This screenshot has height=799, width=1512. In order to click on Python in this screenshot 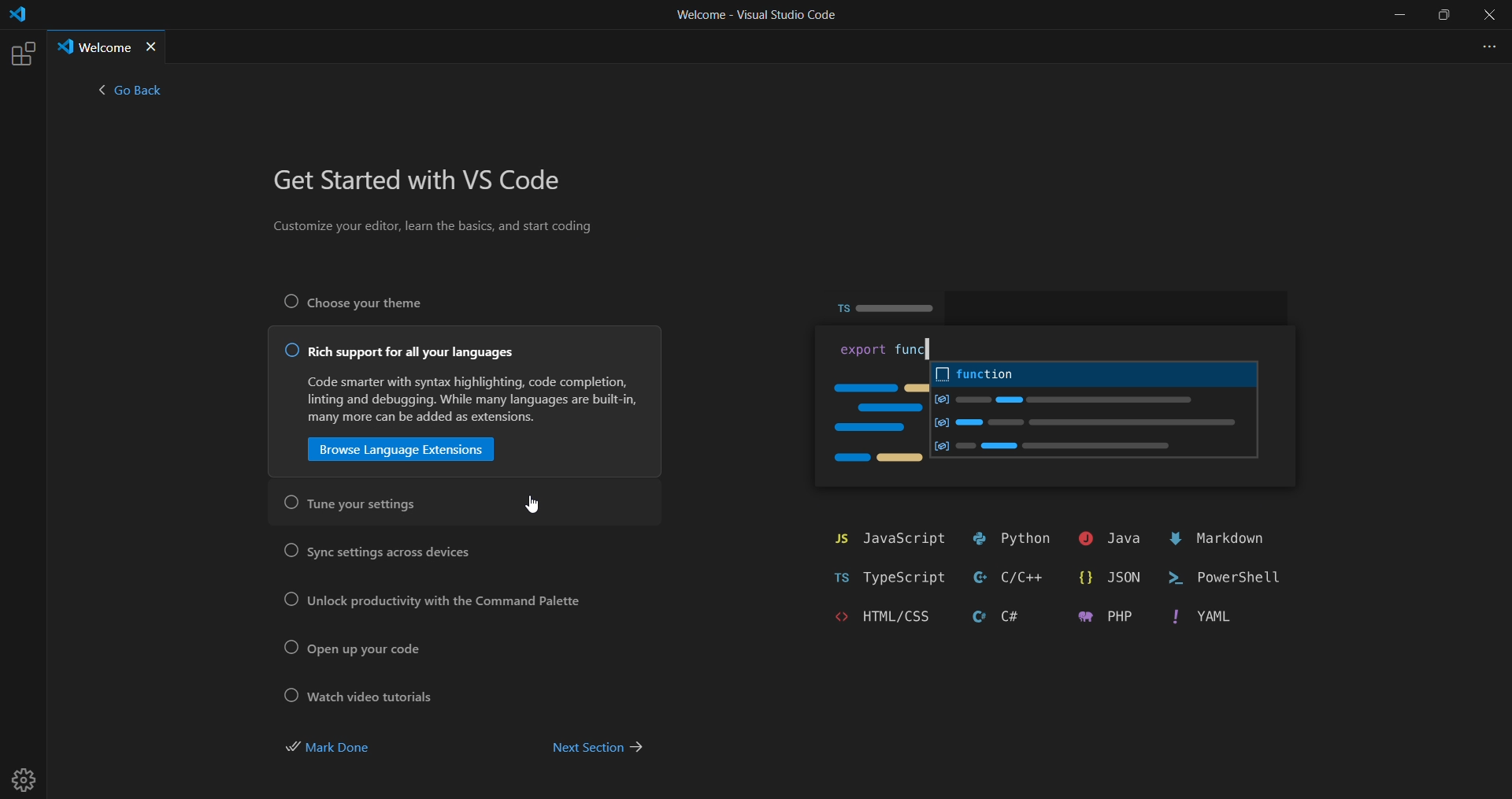, I will do `click(1010, 538)`.